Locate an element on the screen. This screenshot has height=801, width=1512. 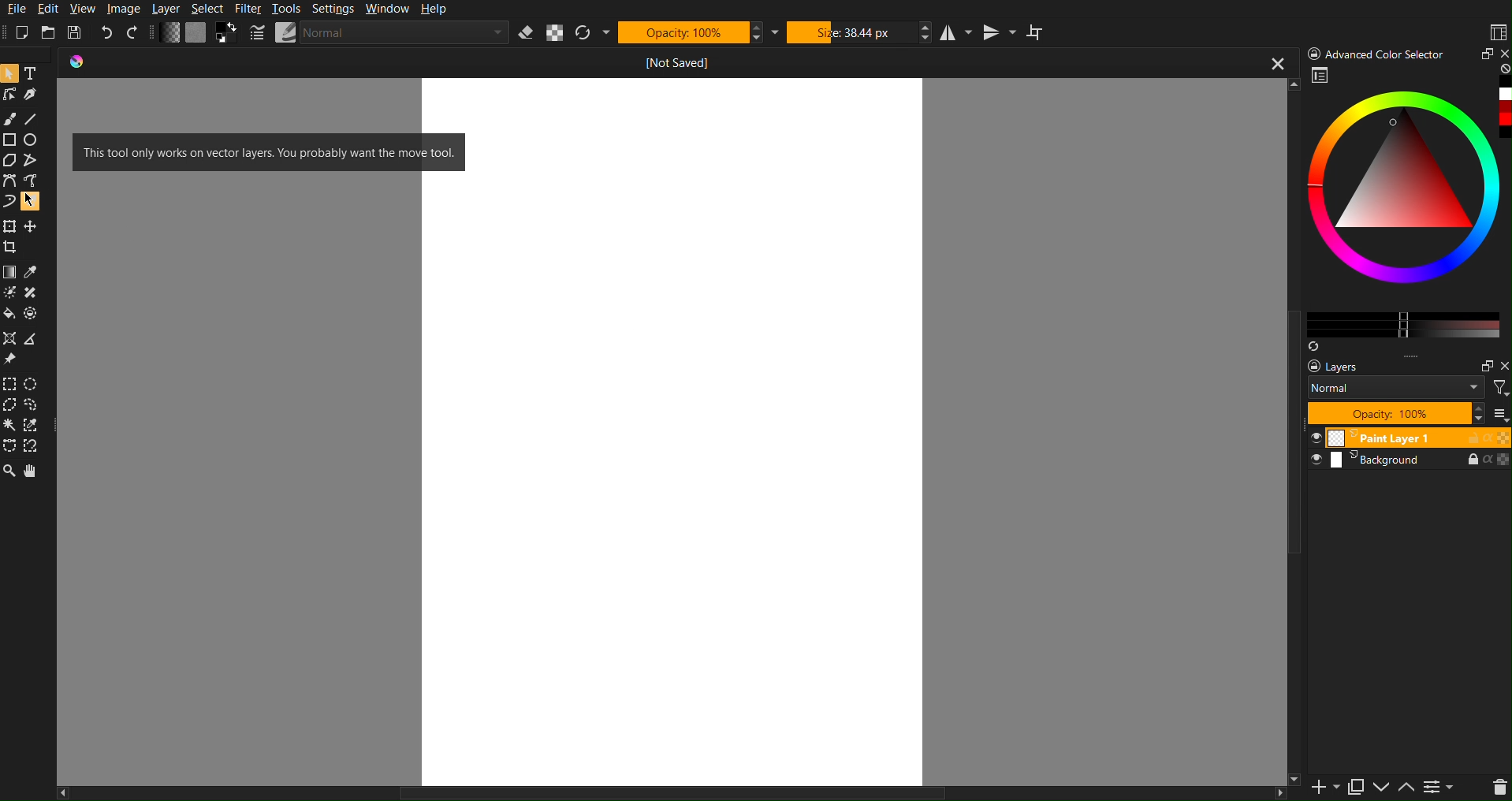
Undo is located at coordinates (107, 32).